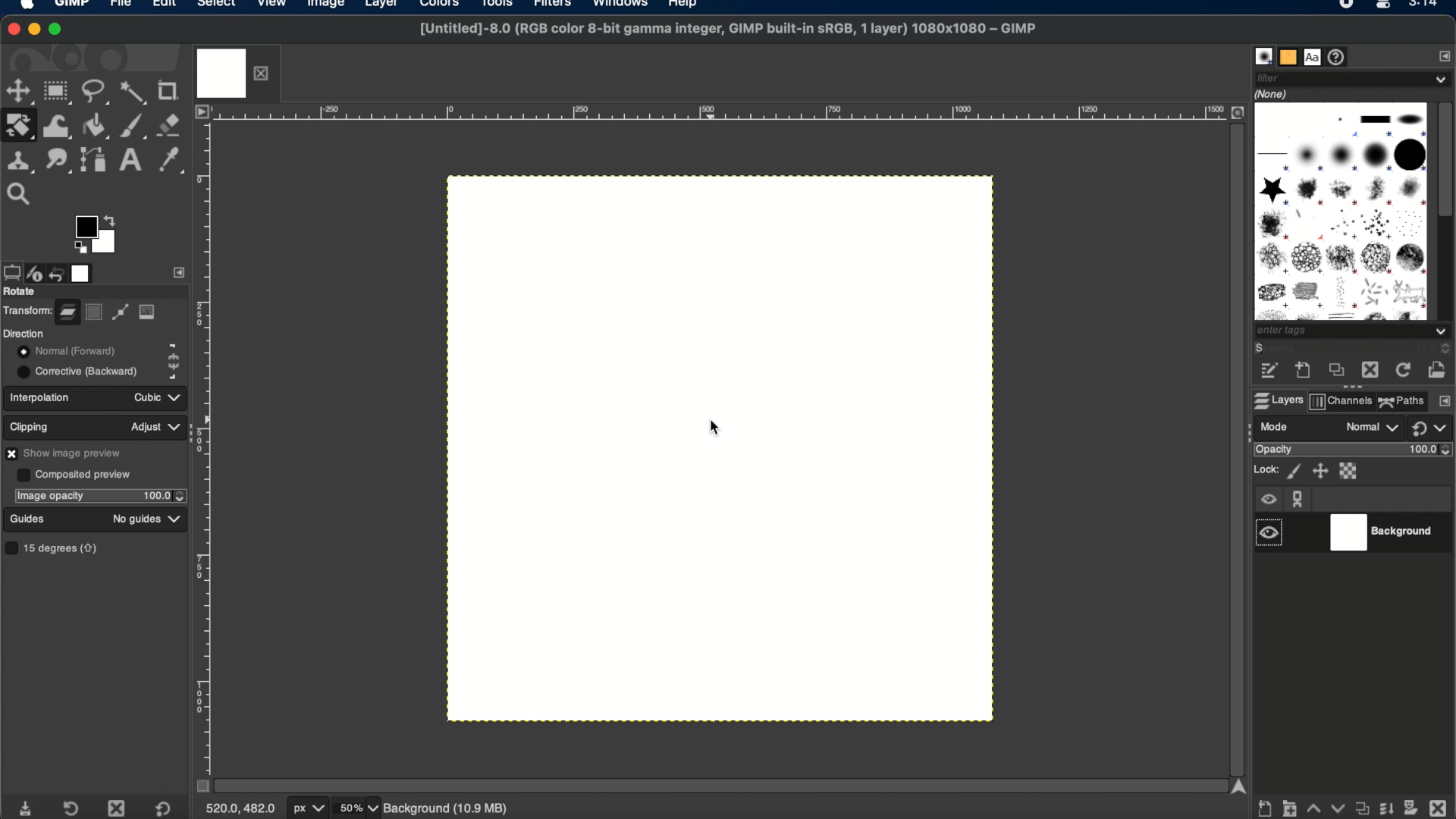  Describe the element at coordinates (20, 159) in the screenshot. I see `clone tool` at that location.